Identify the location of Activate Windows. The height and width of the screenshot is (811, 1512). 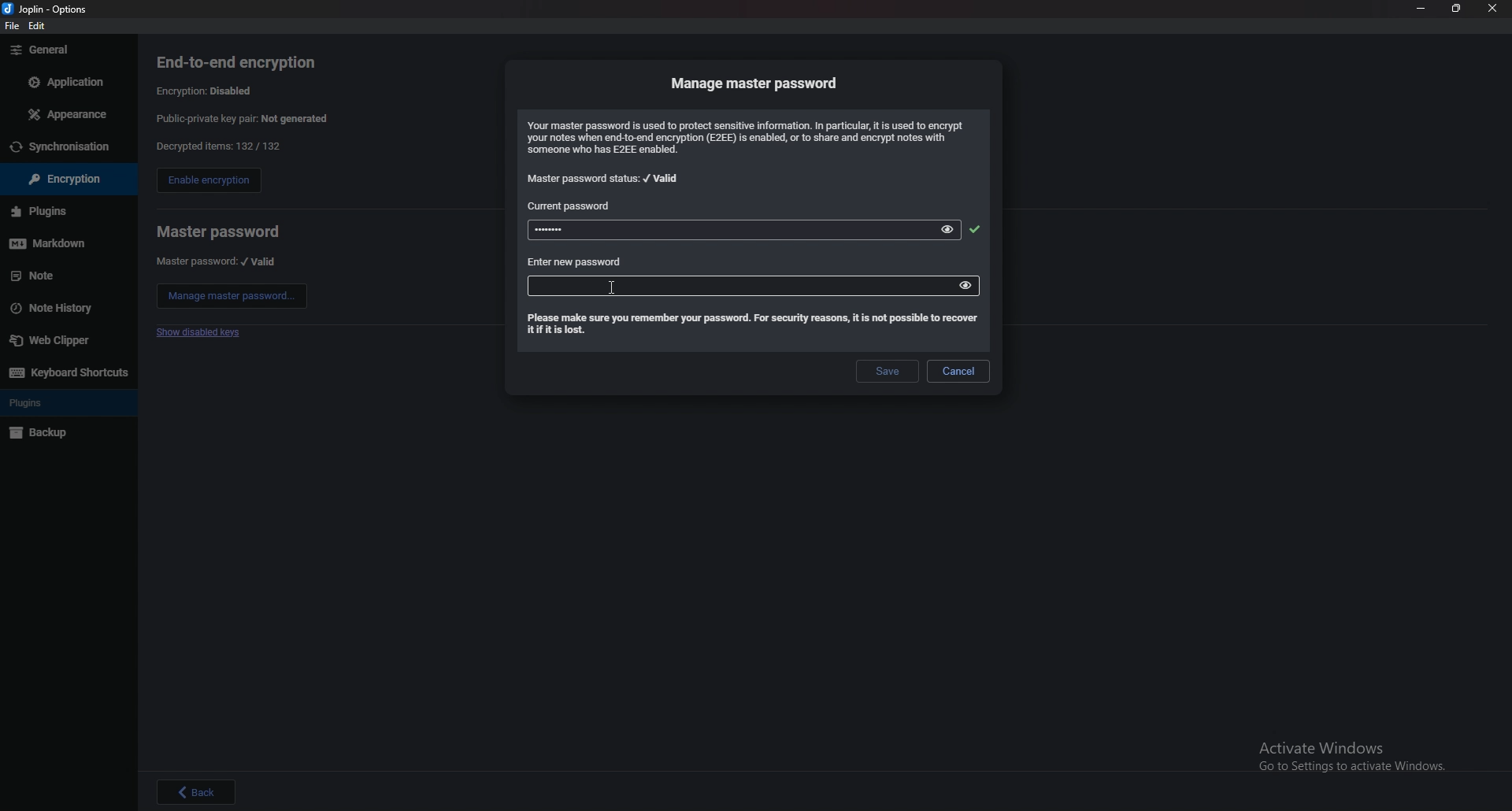
(1351, 754).